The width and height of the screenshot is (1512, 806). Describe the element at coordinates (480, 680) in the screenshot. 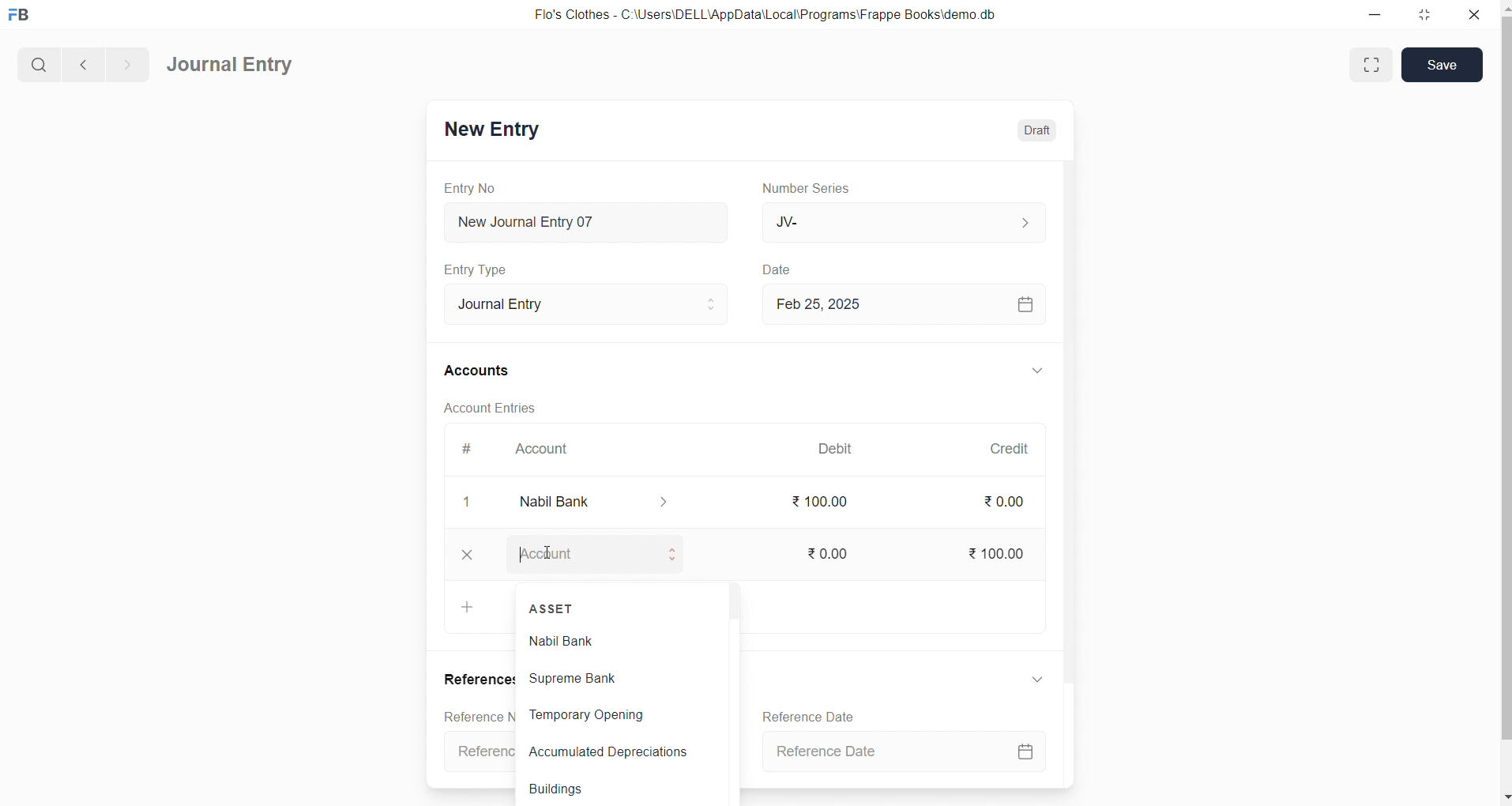

I see `References` at that location.